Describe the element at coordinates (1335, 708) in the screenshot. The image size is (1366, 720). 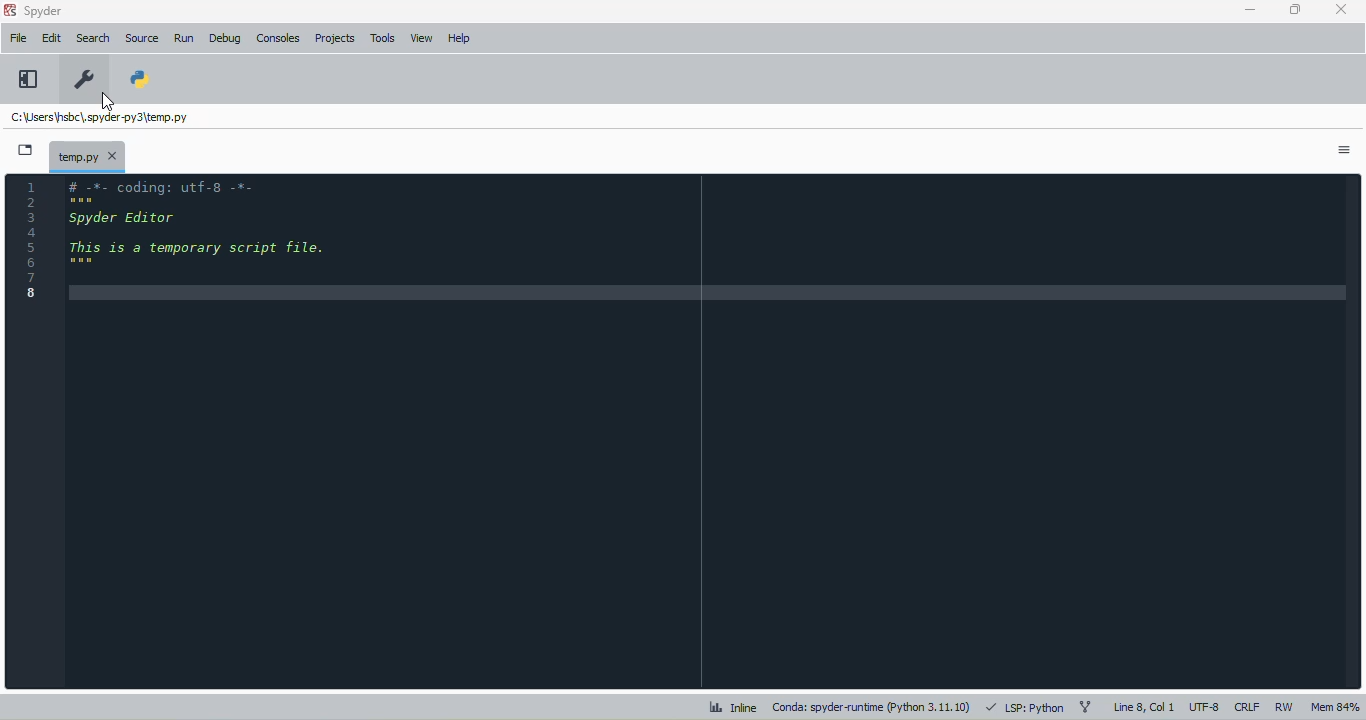
I see `mem 84%` at that location.